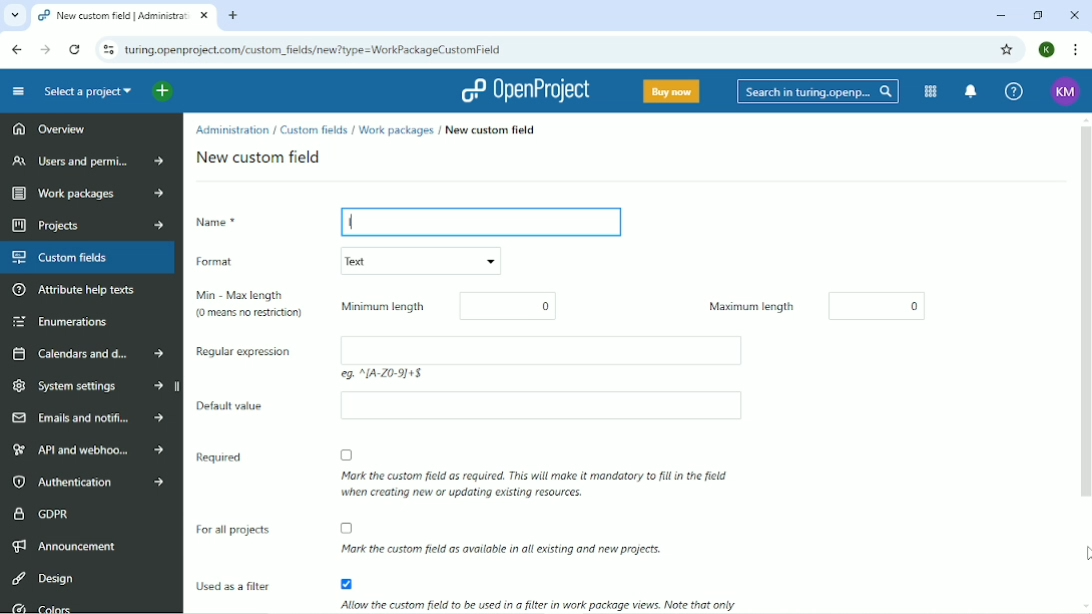 The image size is (1092, 614). What do you see at coordinates (382, 375) in the screenshot?
I see `eg: ^(A-Z 0-9)+$` at bounding box center [382, 375].